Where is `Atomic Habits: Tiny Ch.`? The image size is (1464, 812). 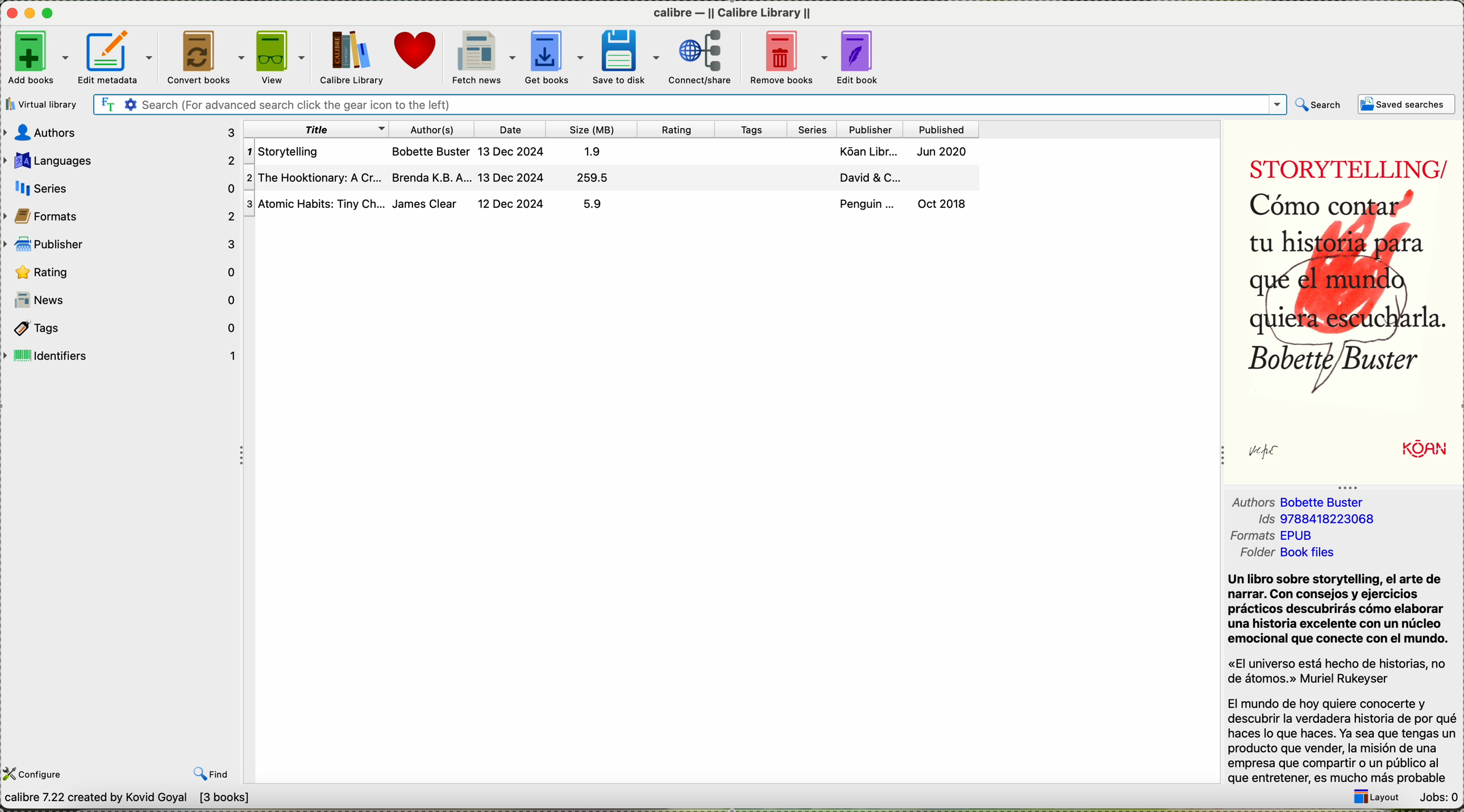 Atomic Habits: Tiny Ch. is located at coordinates (315, 204).